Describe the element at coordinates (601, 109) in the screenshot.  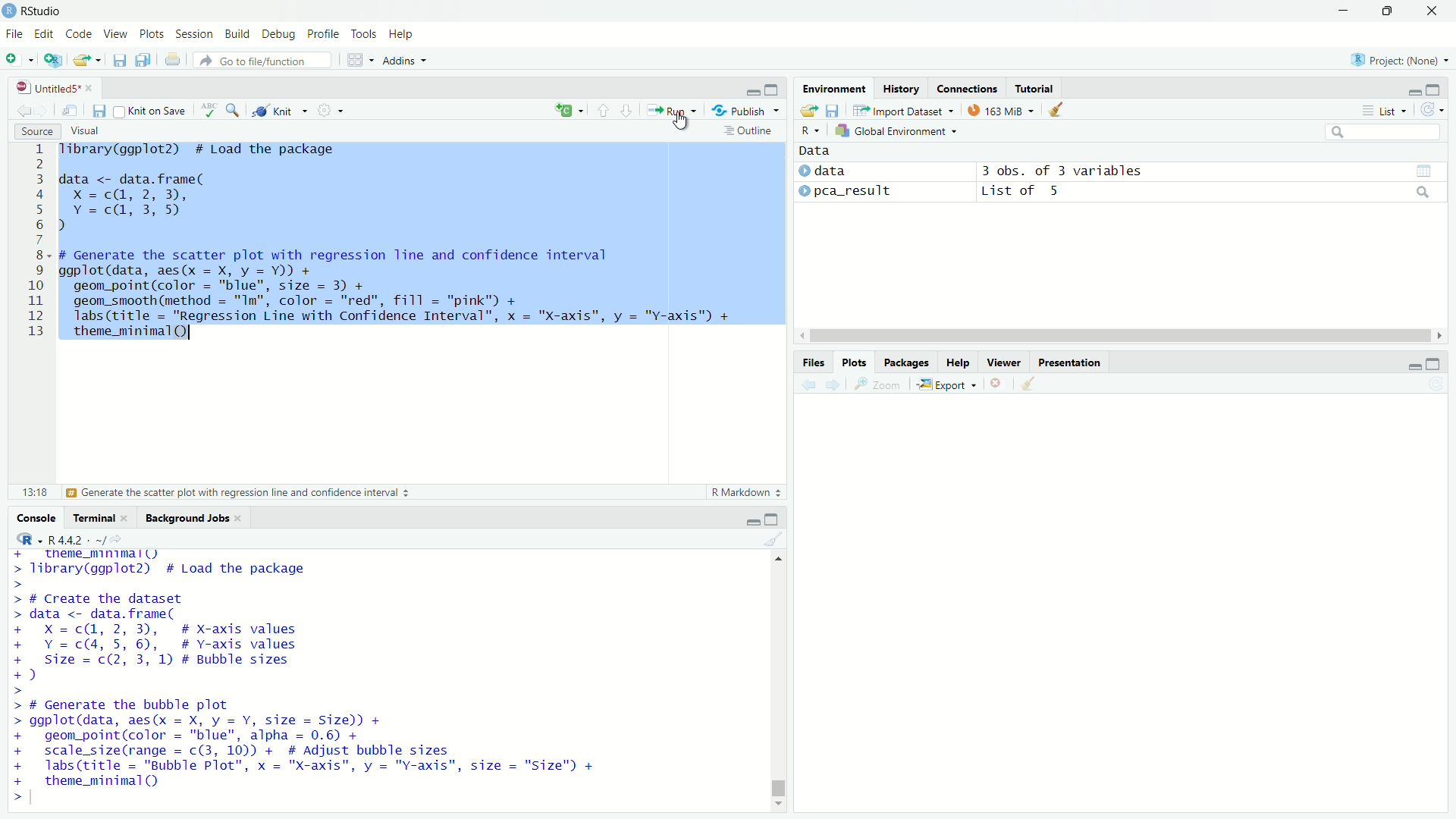
I see `Go to previous section/chunk` at that location.